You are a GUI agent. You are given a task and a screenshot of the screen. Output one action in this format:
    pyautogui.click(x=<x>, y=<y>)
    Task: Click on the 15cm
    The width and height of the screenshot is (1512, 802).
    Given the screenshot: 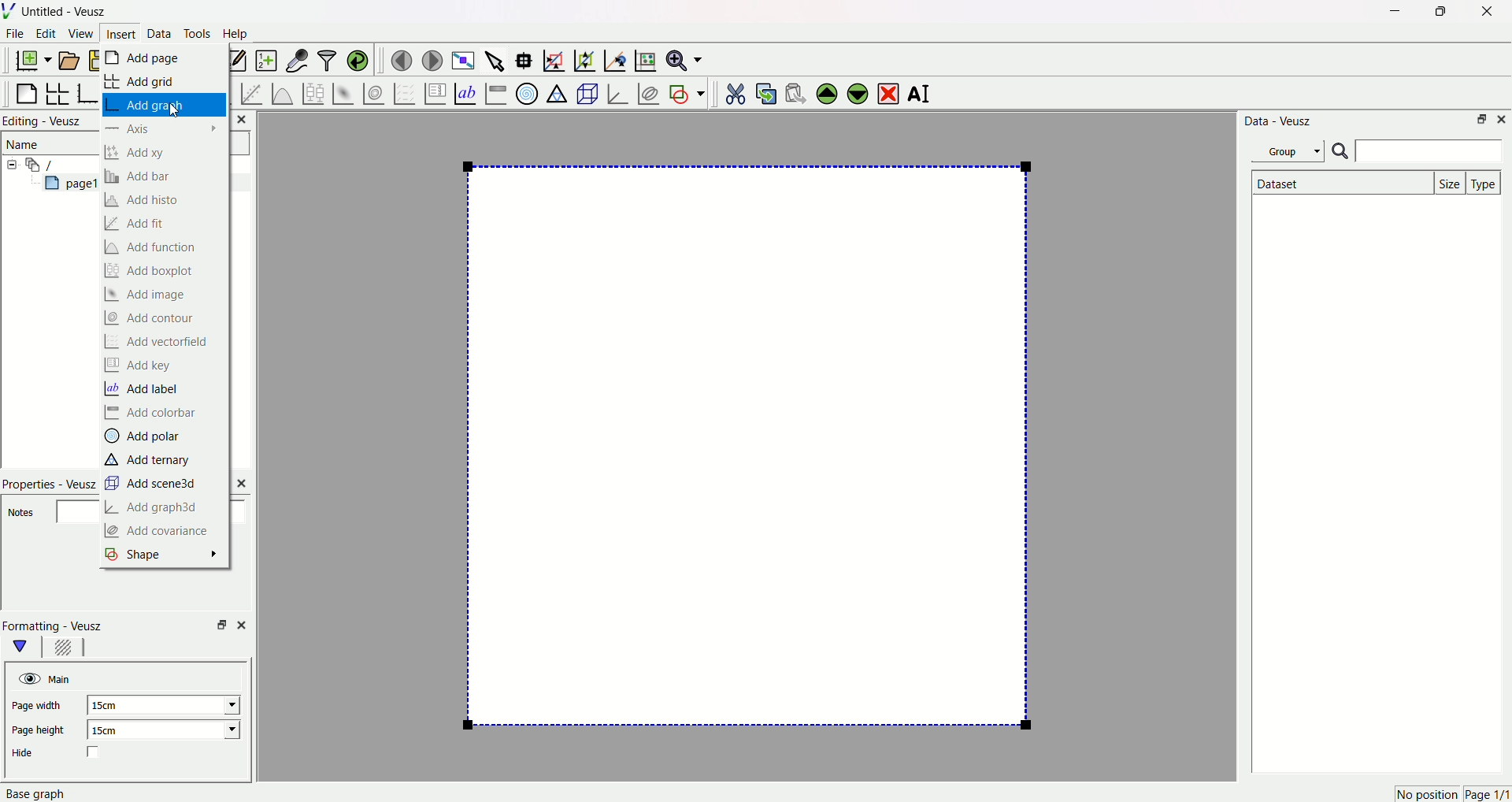 What is the action you would take?
    pyautogui.click(x=168, y=730)
    